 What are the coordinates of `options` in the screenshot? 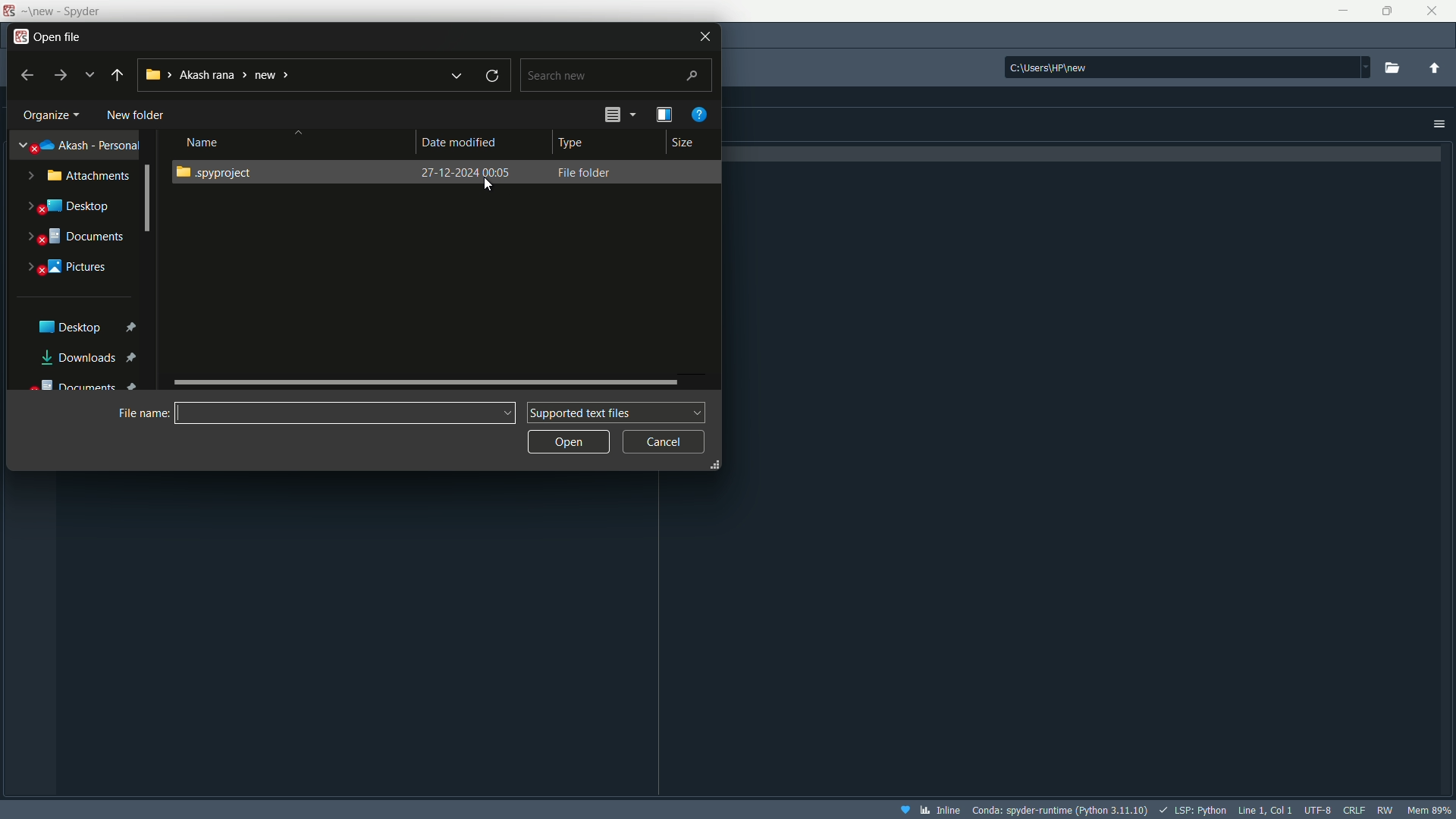 It's located at (1434, 123).